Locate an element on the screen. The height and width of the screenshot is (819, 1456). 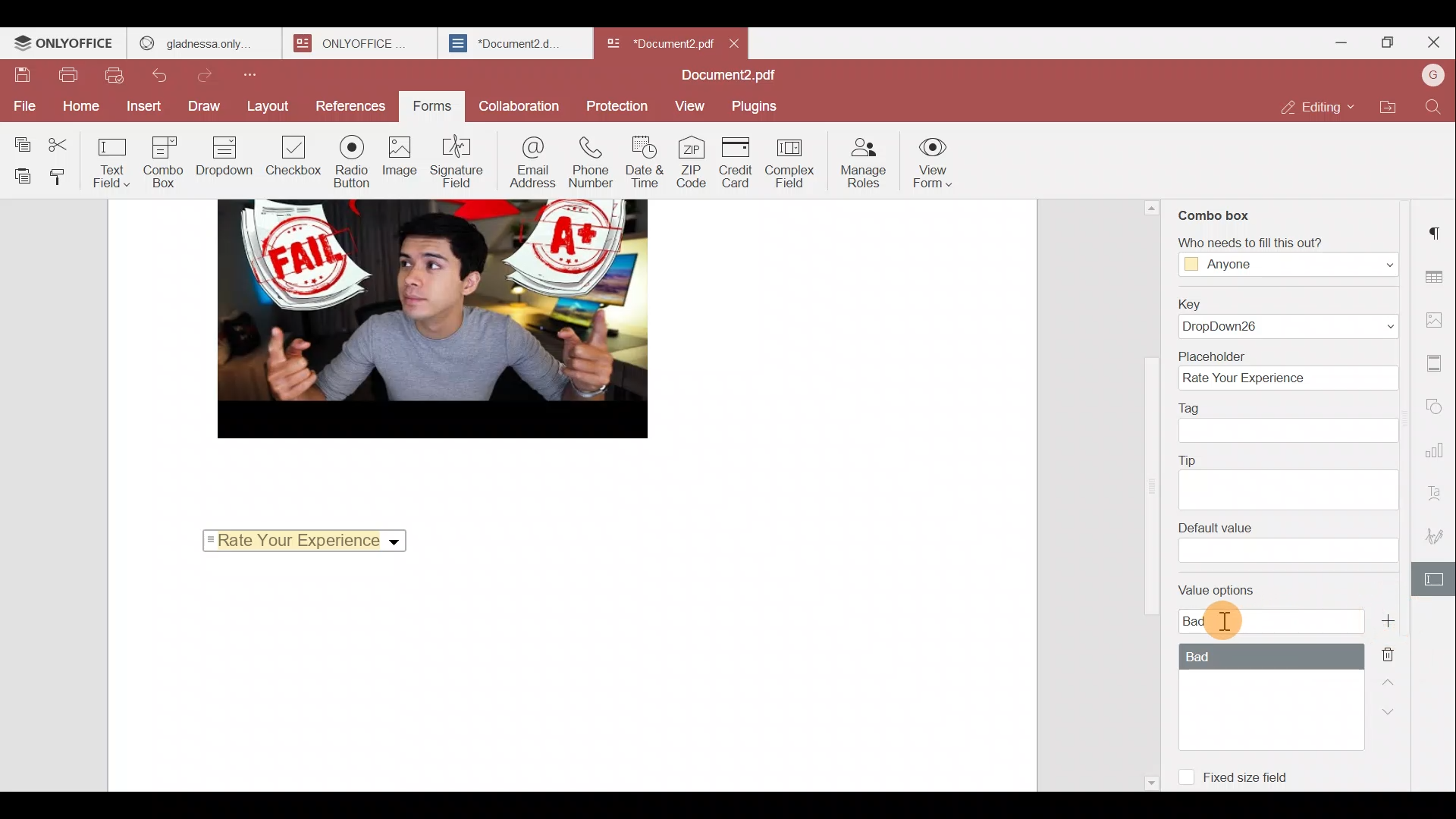
Tag is located at coordinates (1291, 422).